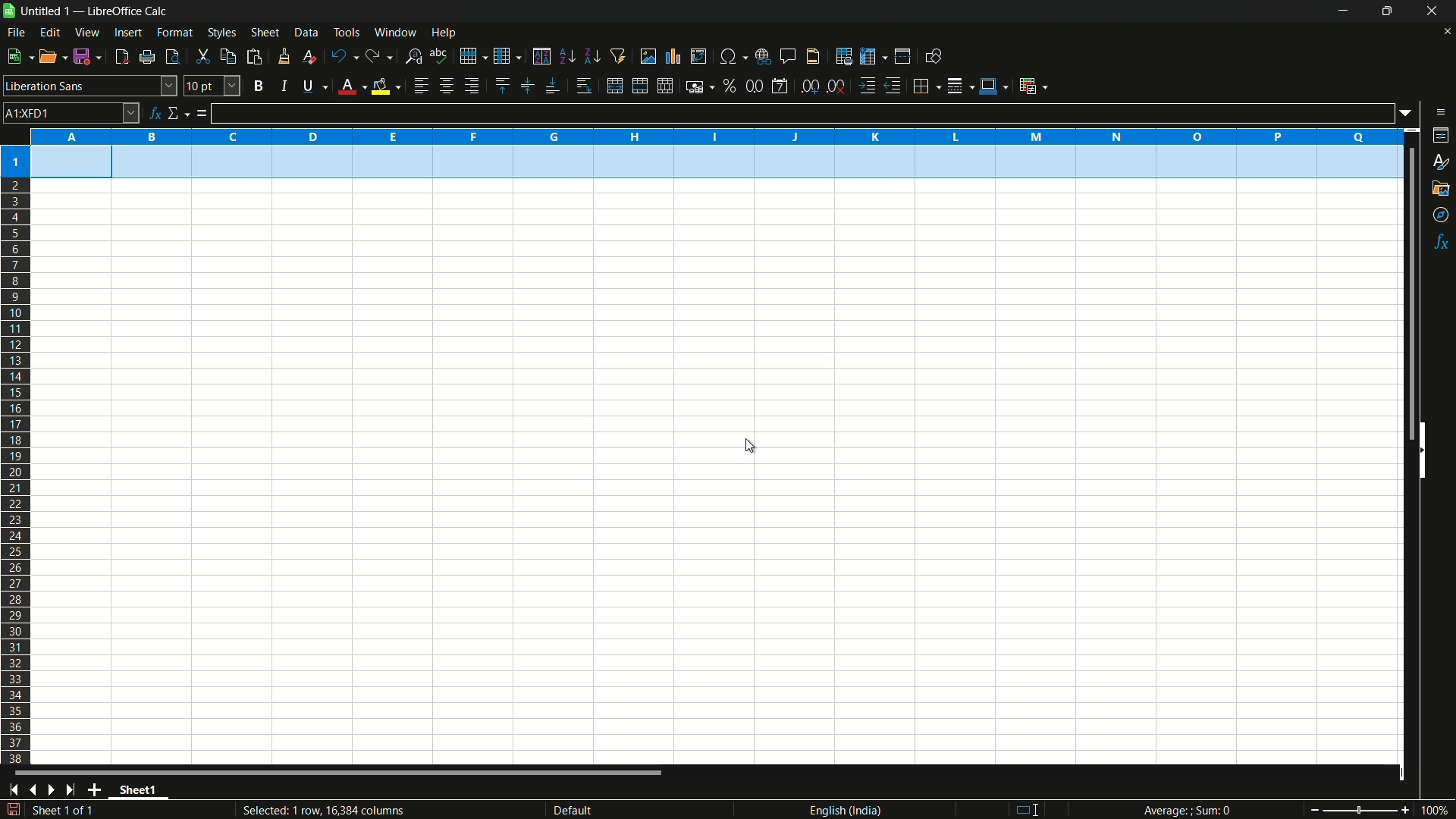 Image resolution: width=1456 pixels, height=819 pixels. What do you see at coordinates (566, 57) in the screenshot?
I see `sort ascending` at bounding box center [566, 57].